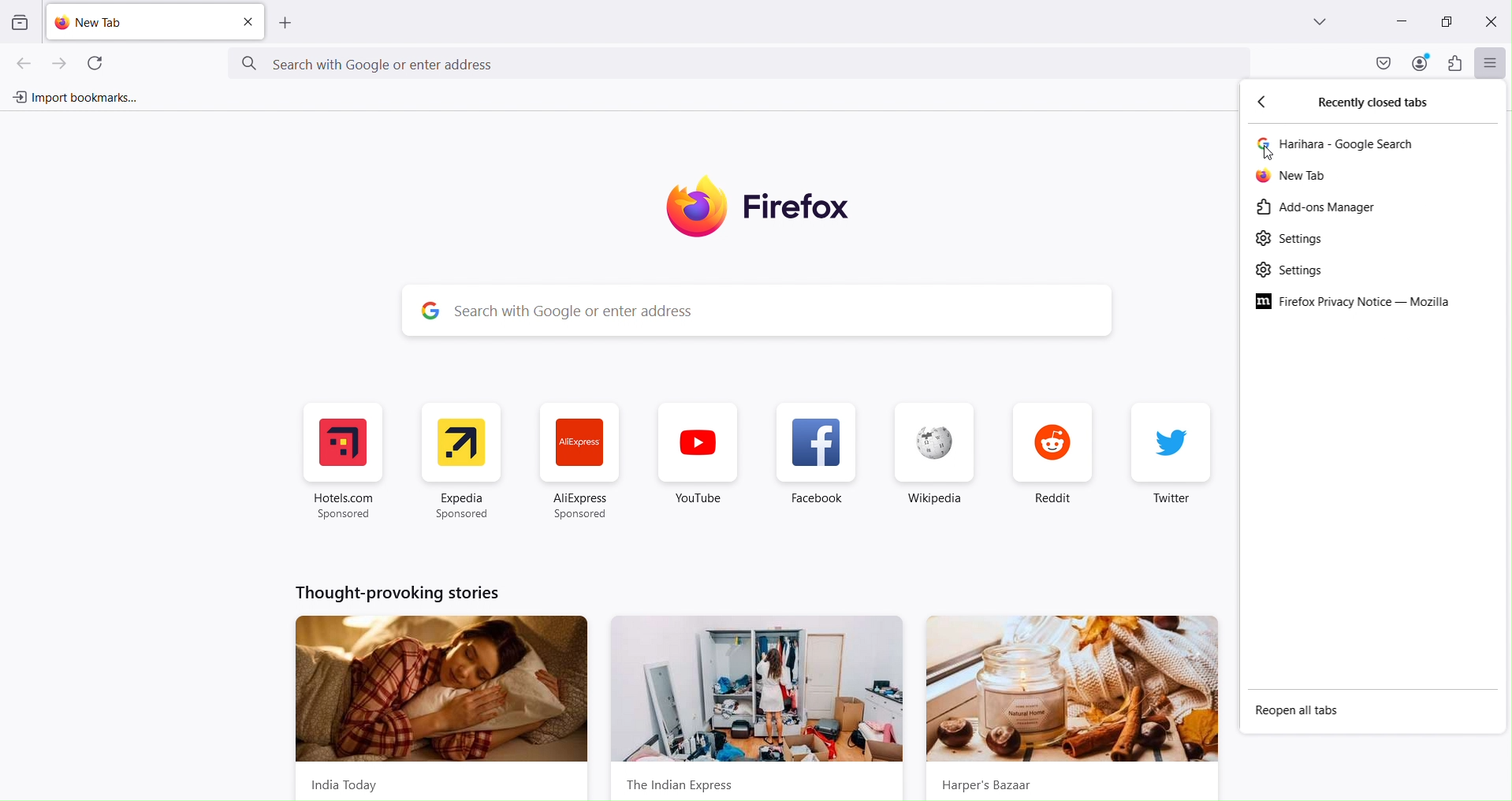 The image size is (1512, 801). What do you see at coordinates (1294, 177) in the screenshot?
I see `New tab` at bounding box center [1294, 177].